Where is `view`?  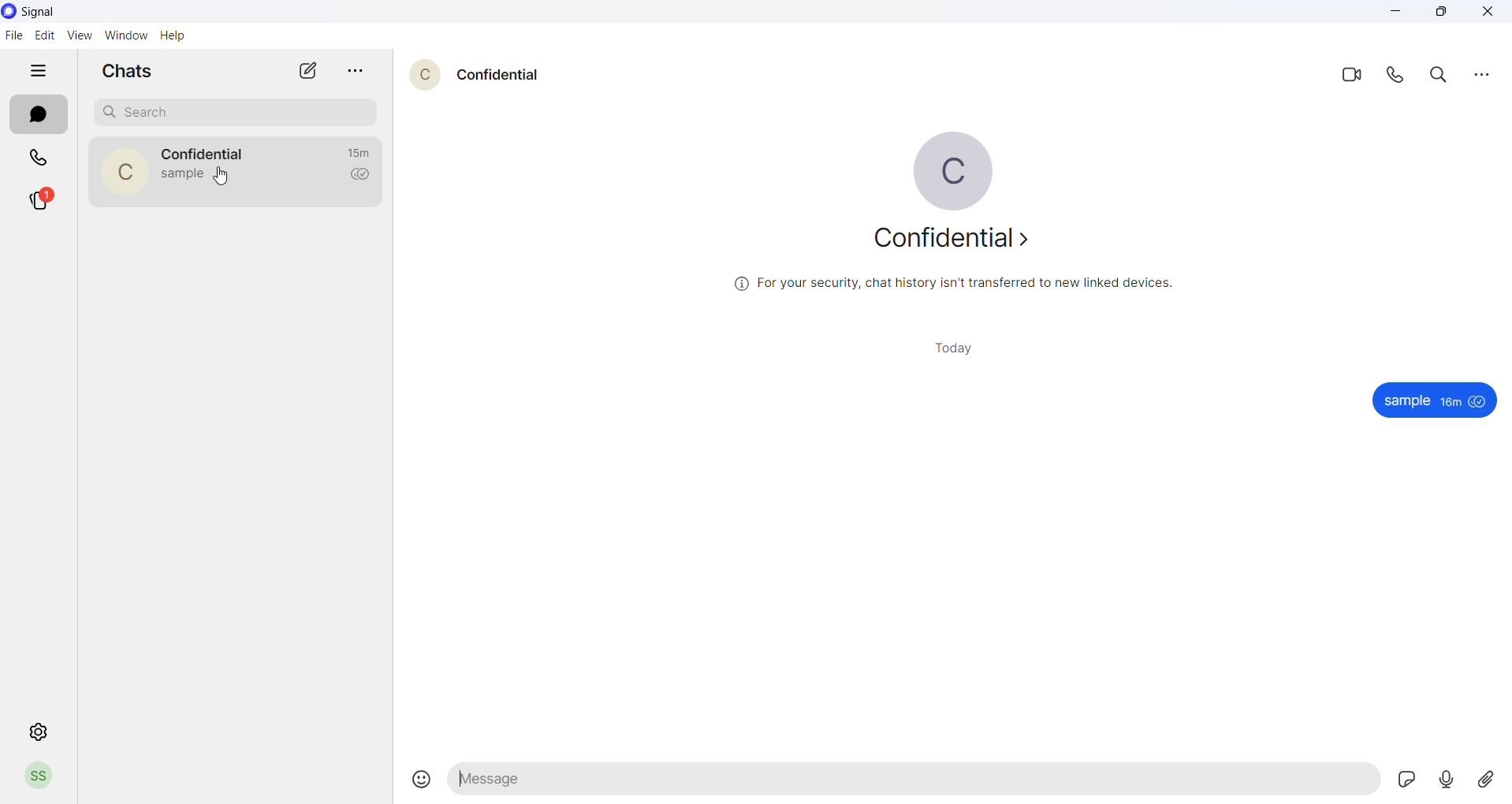
view is located at coordinates (77, 35).